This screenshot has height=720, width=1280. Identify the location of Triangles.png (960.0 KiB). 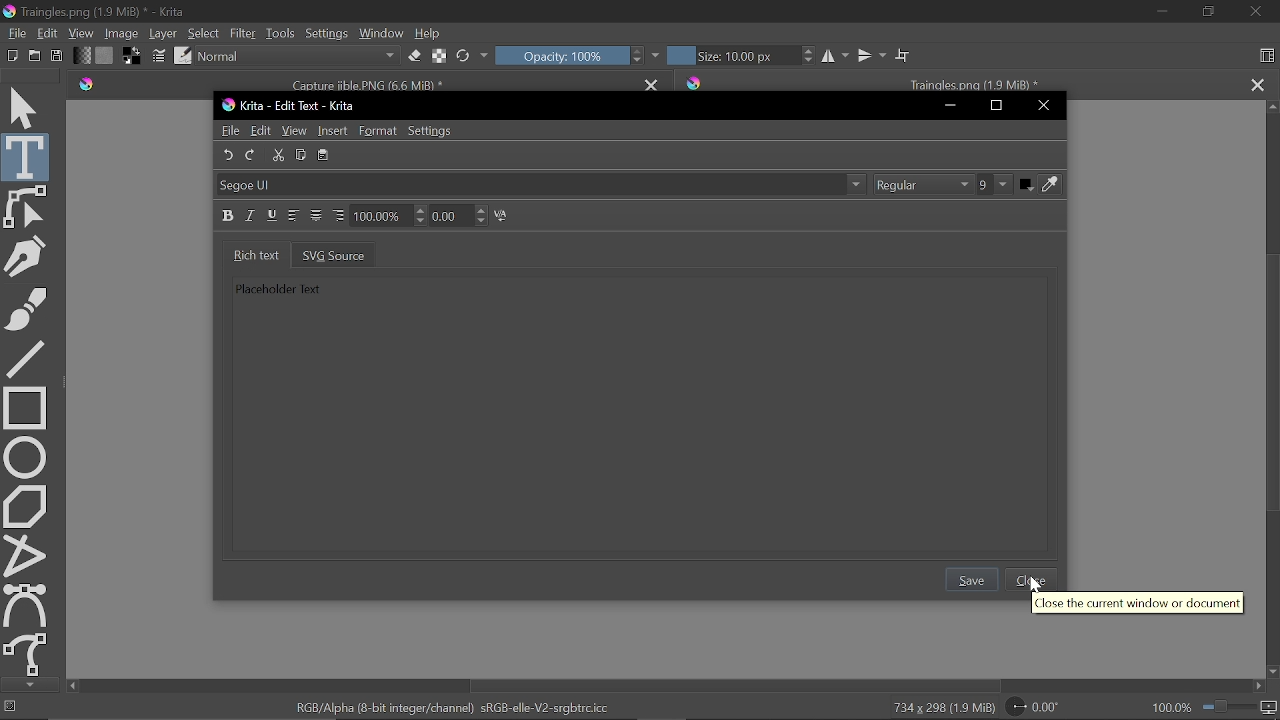
(117, 12).